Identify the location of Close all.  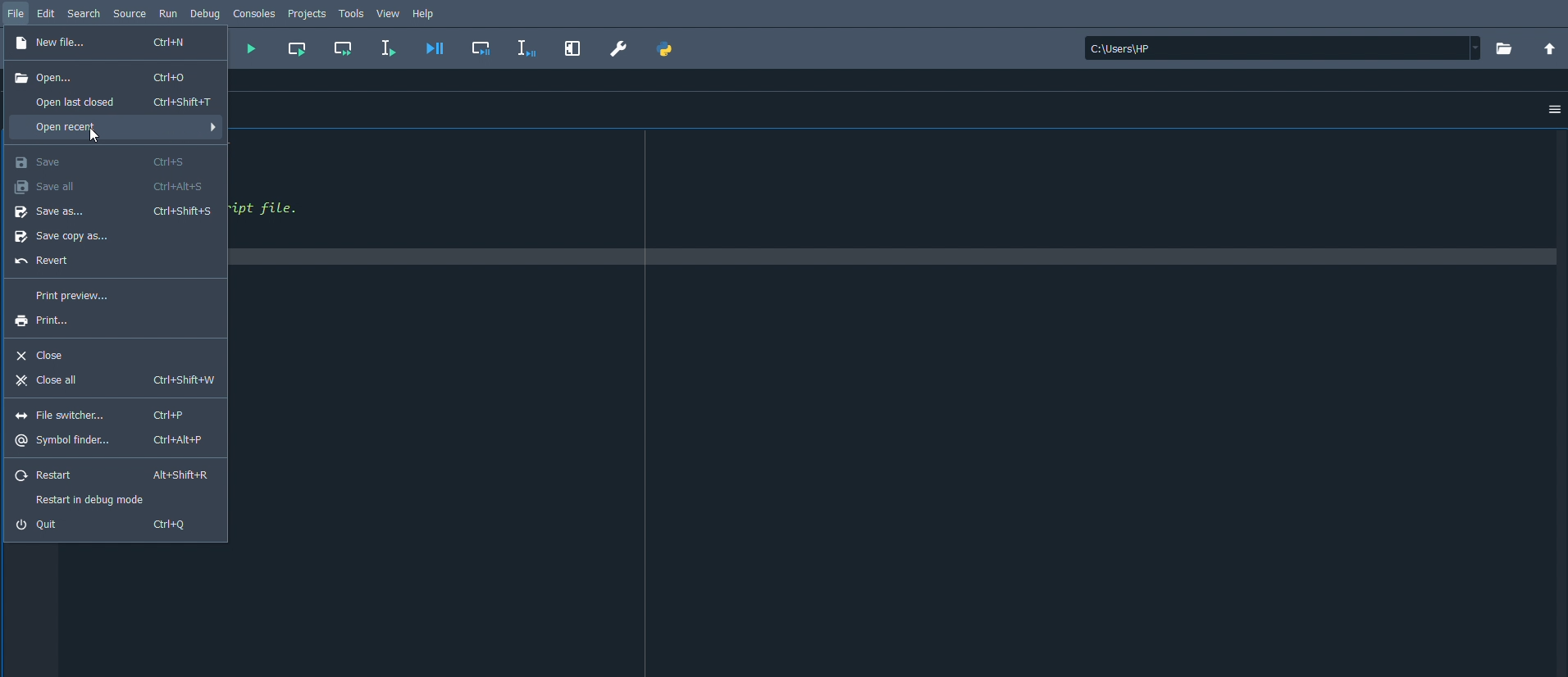
(114, 382).